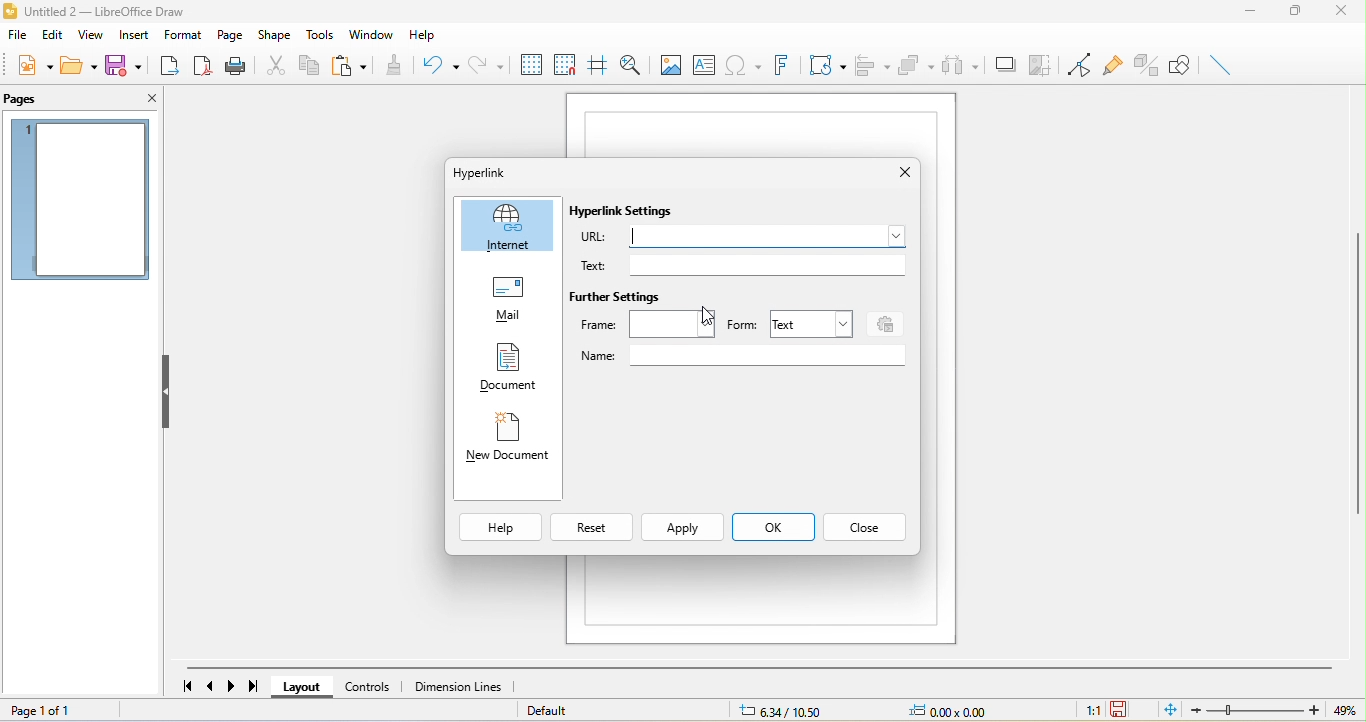 Image resolution: width=1366 pixels, height=722 pixels. What do you see at coordinates (866, 526) in the screenshot?
I see `close` at bounding box center [866, 526].